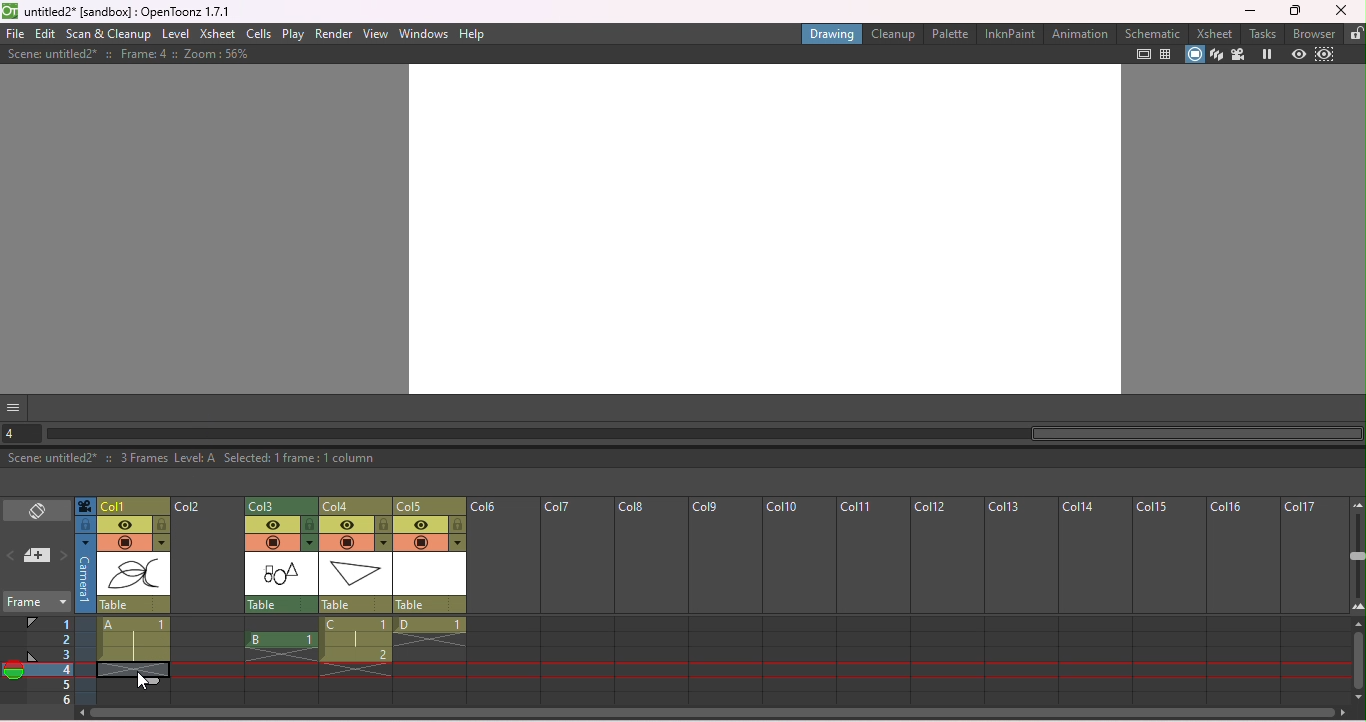 The width and height of the screenshot is (1366, 722). Describe the element at coordinates (723, 600) in the screenshot. I see `Work 9` at that location.